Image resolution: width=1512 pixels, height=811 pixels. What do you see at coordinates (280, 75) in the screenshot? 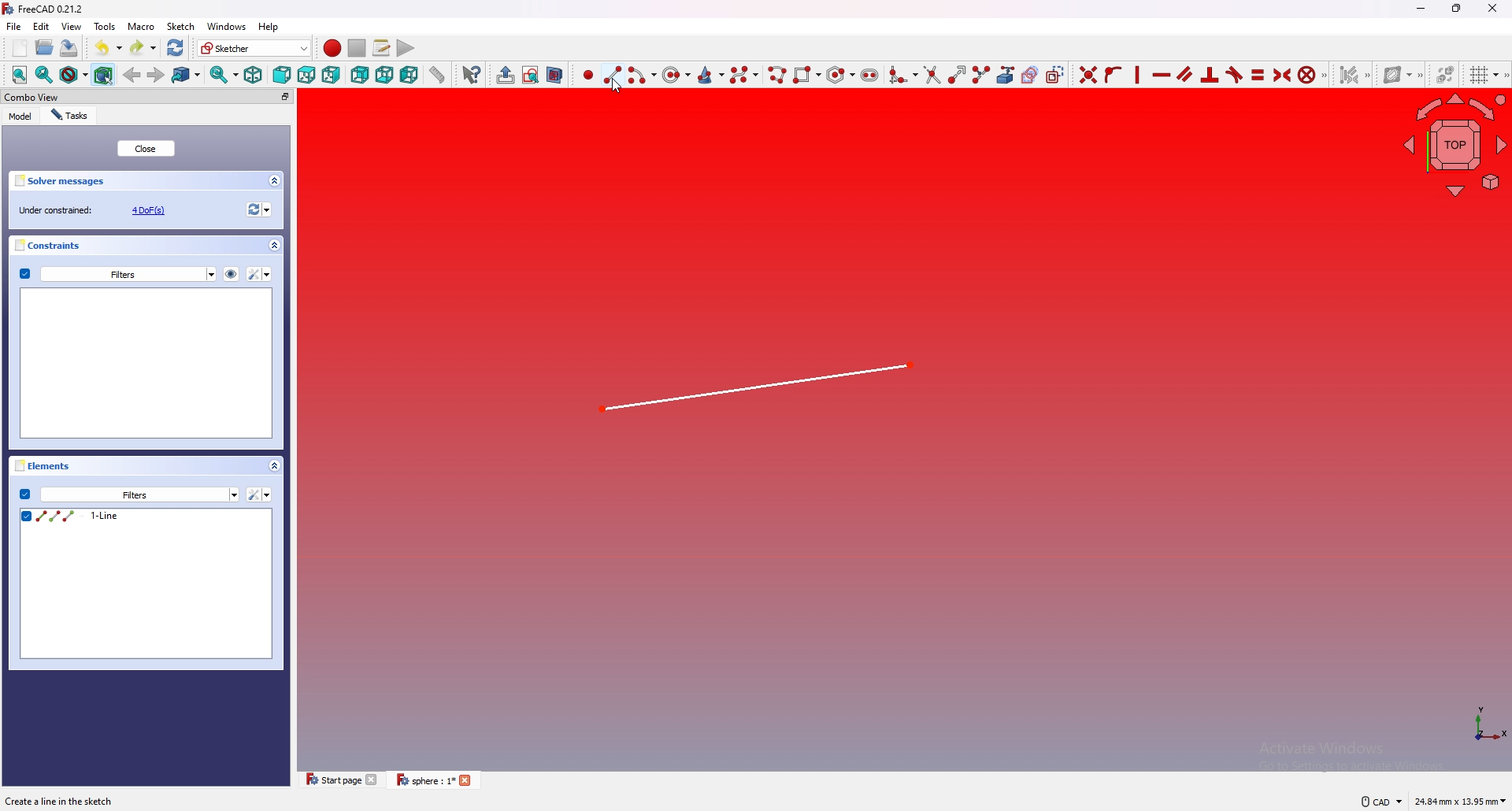
I see `Front` at bounding box center [280, 75].